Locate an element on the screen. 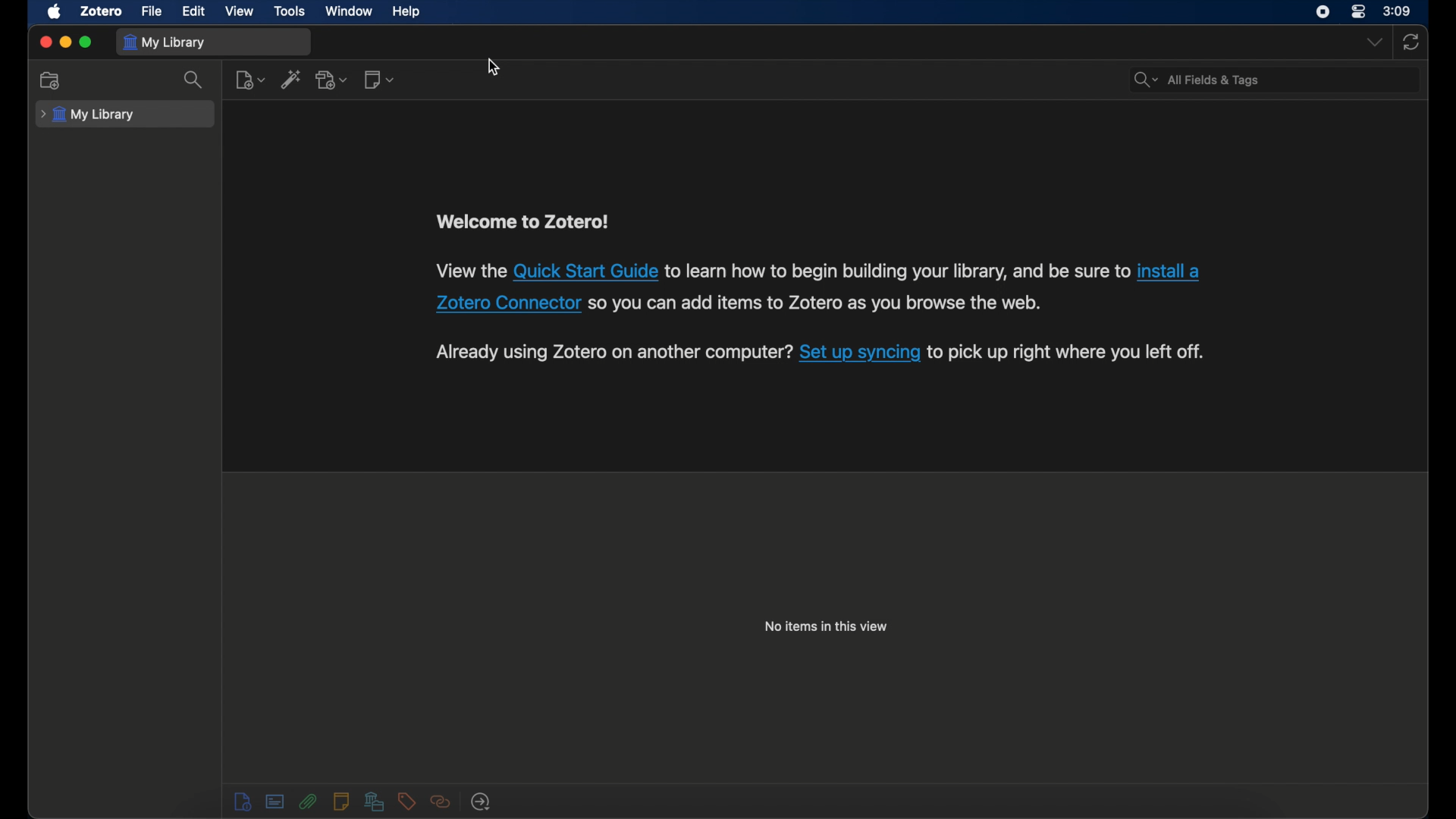 The width and height of the screenshot is (1456, 819). add attachment is located at coordinates (332, 79).